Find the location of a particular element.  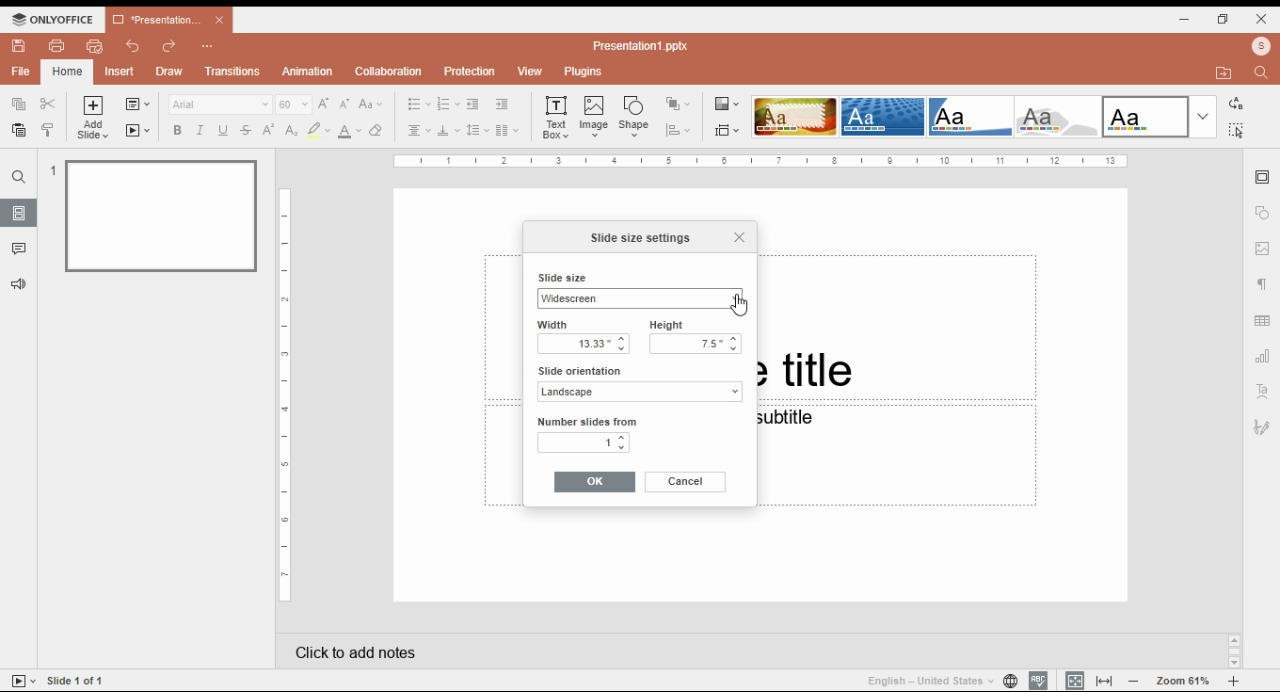

paragraph settings is located at coordinates (1265, 287).